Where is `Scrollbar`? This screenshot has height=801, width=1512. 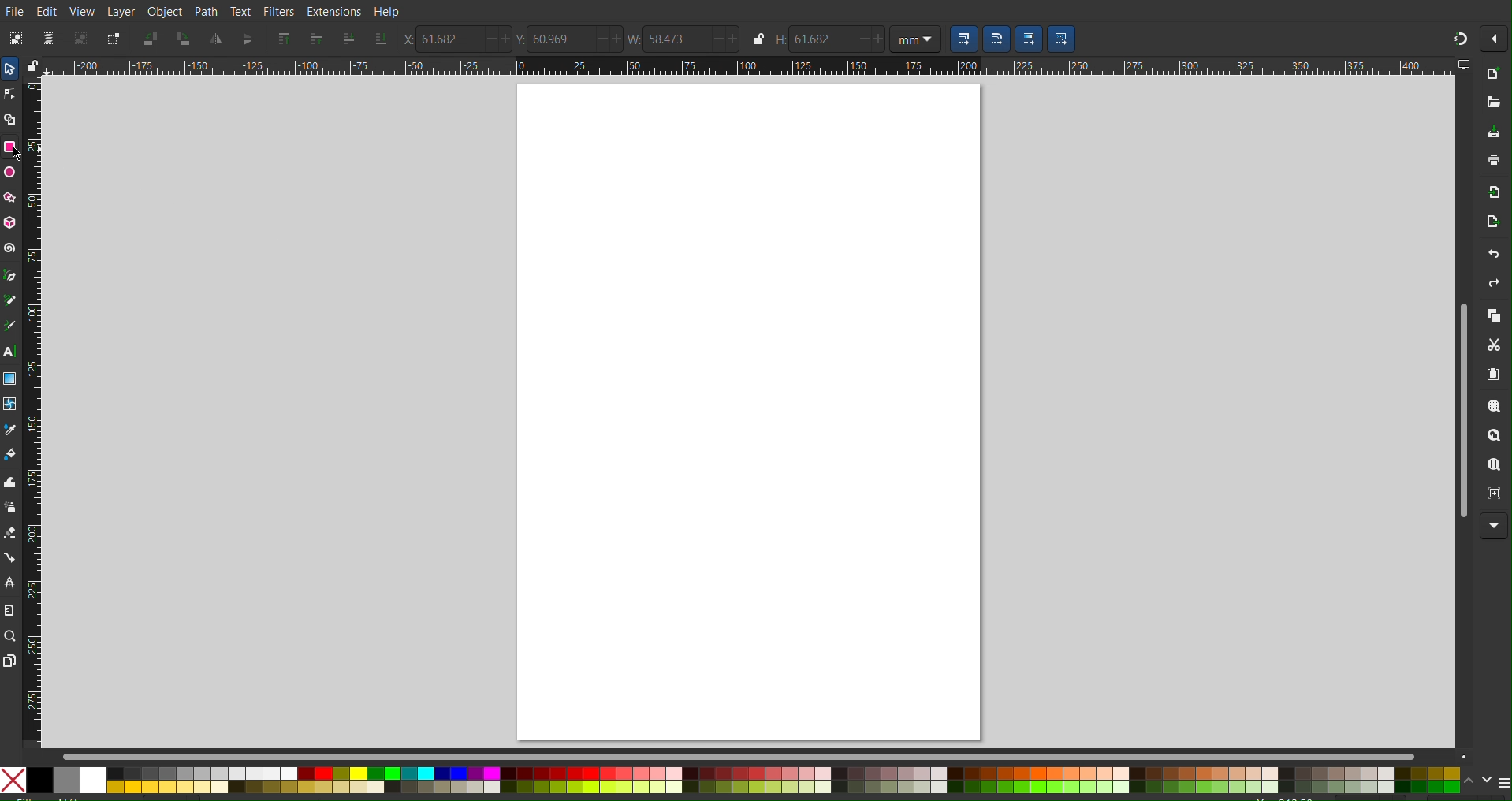 Scrollbar is located at coordinates (1462, 414).